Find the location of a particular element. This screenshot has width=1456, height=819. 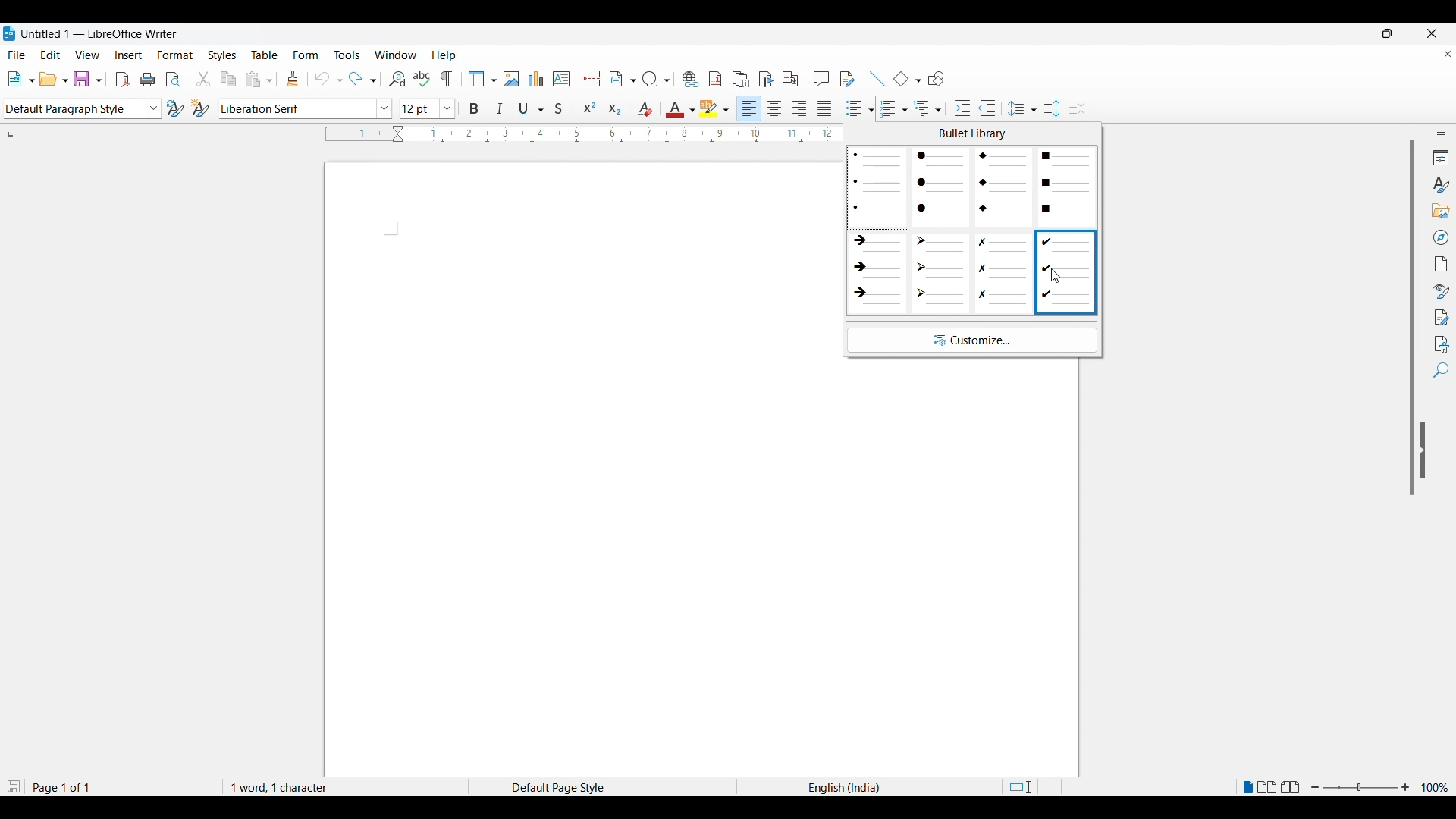

Increase indent is located at coordinates (960, 106).